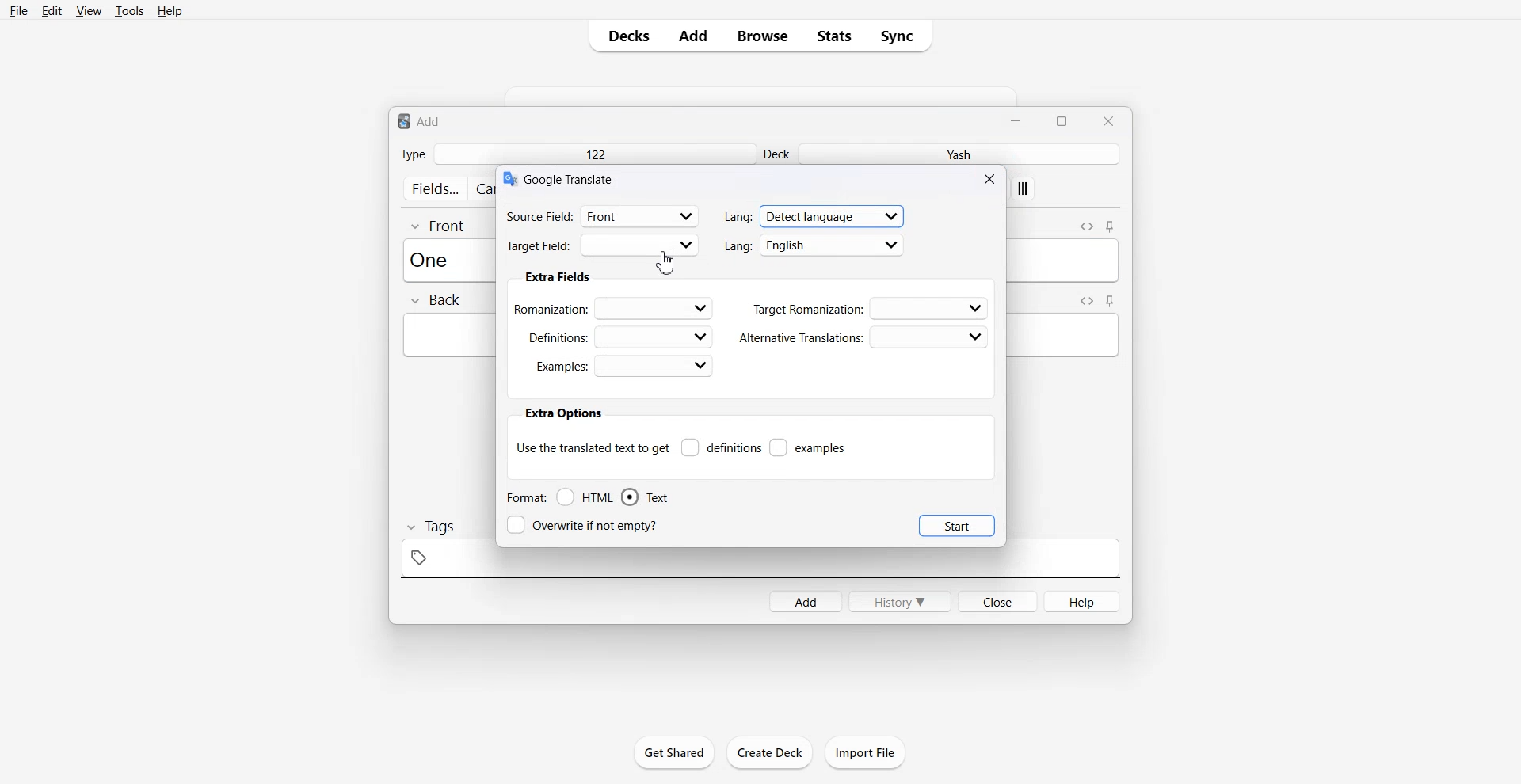 The image size is (1521, 784). Describe the element at coordinates (805, 601) in the screenshot. I see `Add` at that location.